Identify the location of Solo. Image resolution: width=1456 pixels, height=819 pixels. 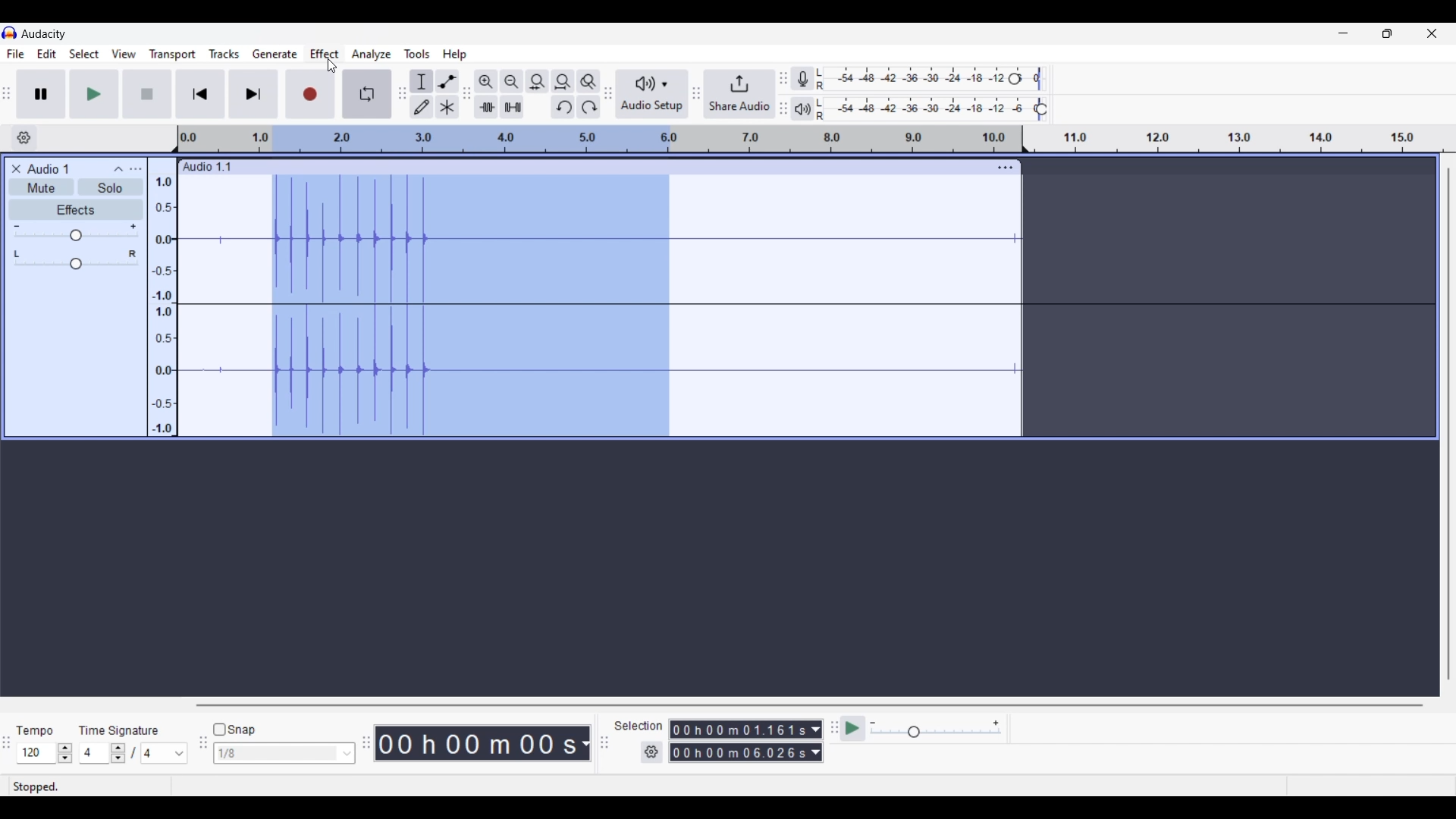
(110, 187).